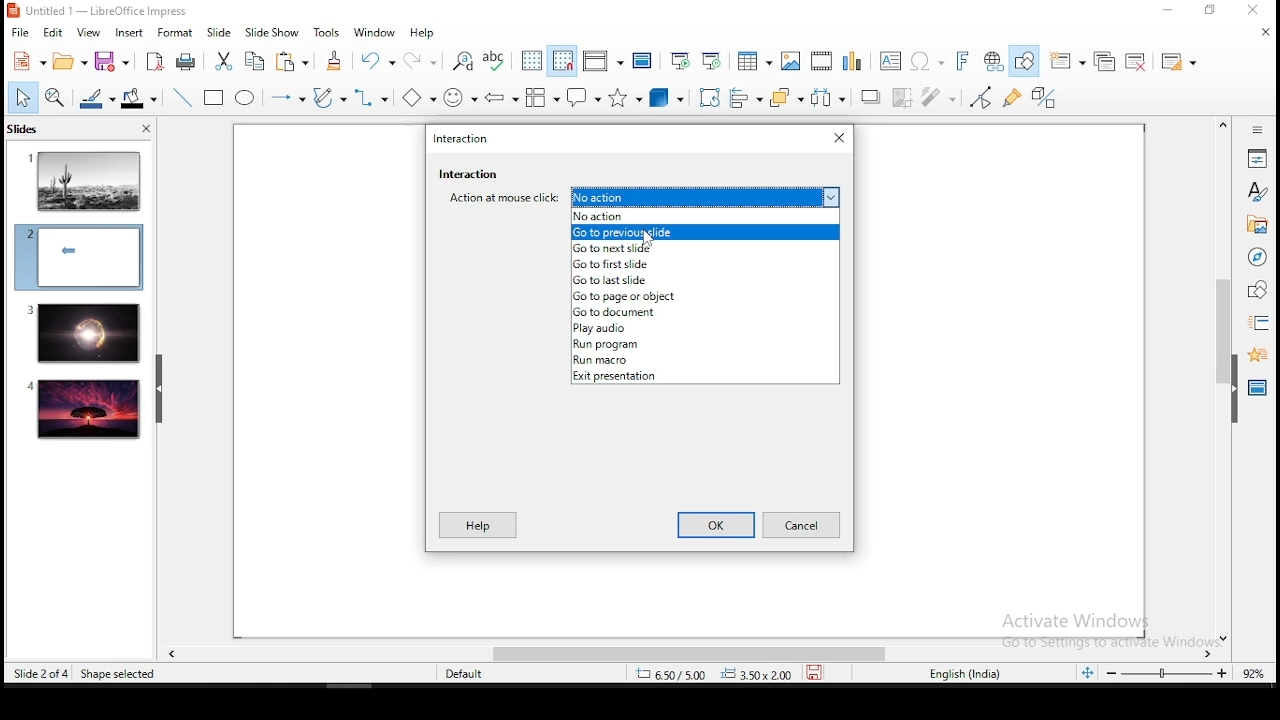 The image size is (1280, 720). What do you see at coordinates (994, 62) in the screenshot?
I see `hyperlink` at bounding box center [994, 62].